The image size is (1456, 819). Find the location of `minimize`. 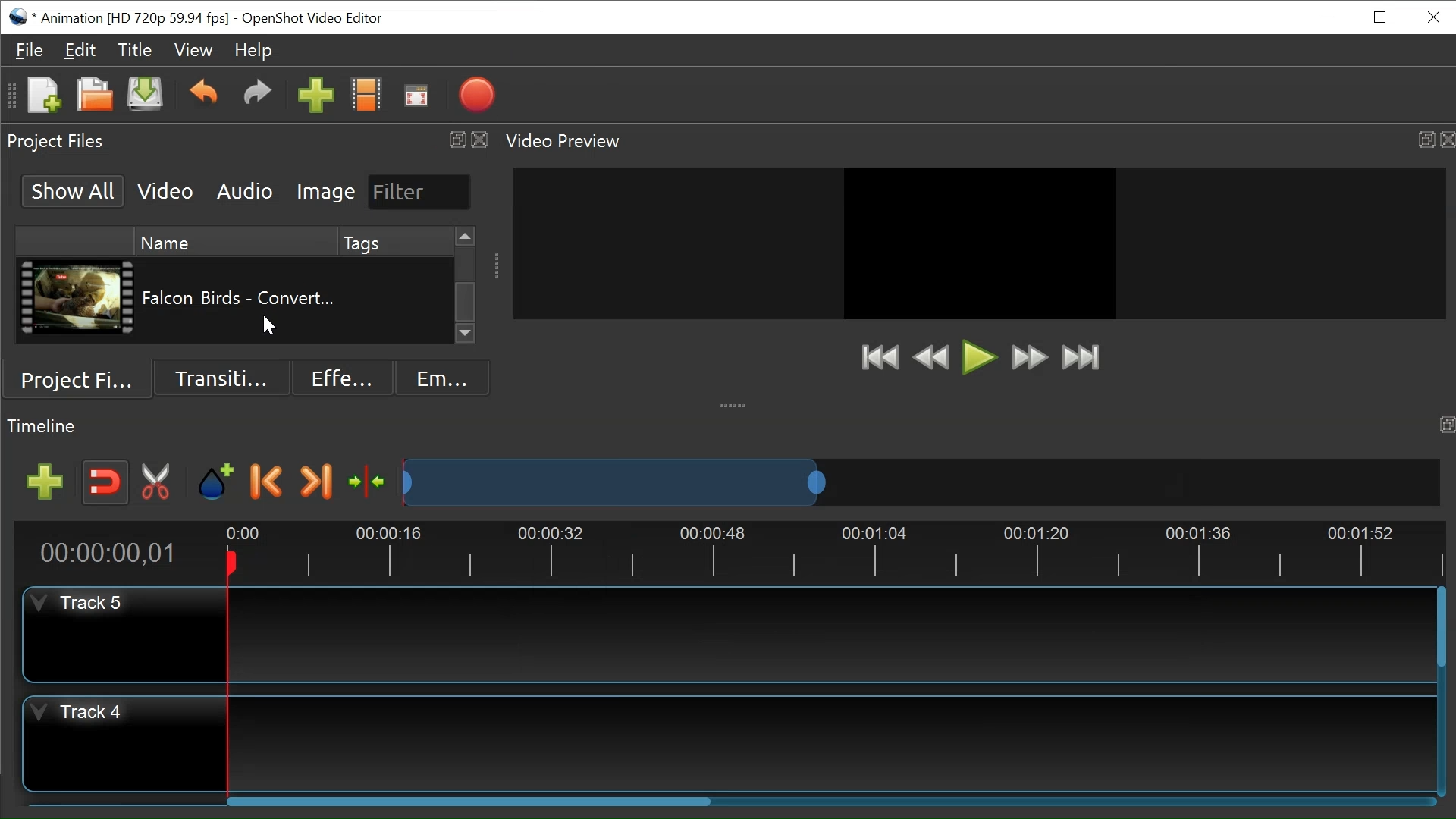

minimize is located at coordinates (1326, 19).